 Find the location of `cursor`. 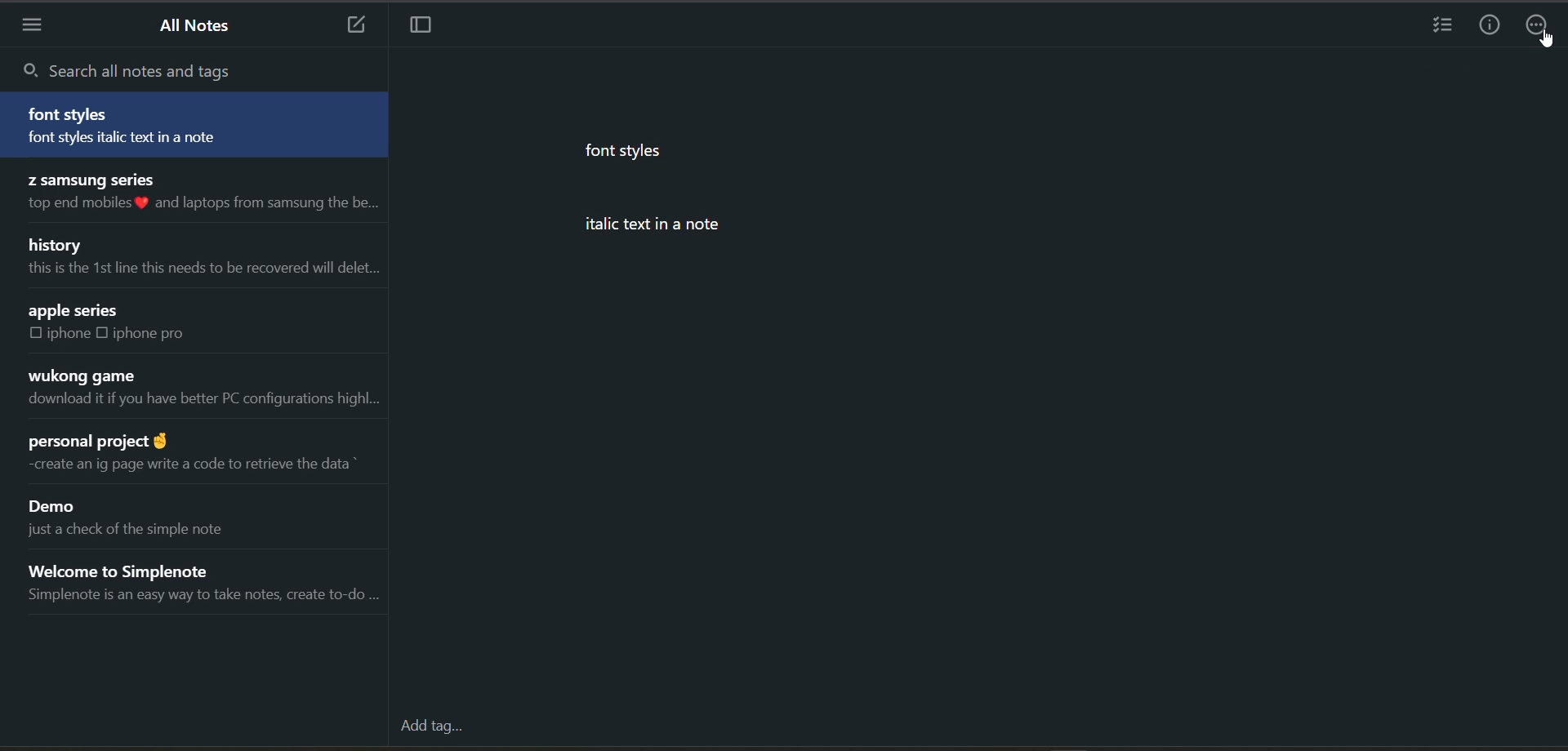

cursor is located at coordinates (1550, 42).